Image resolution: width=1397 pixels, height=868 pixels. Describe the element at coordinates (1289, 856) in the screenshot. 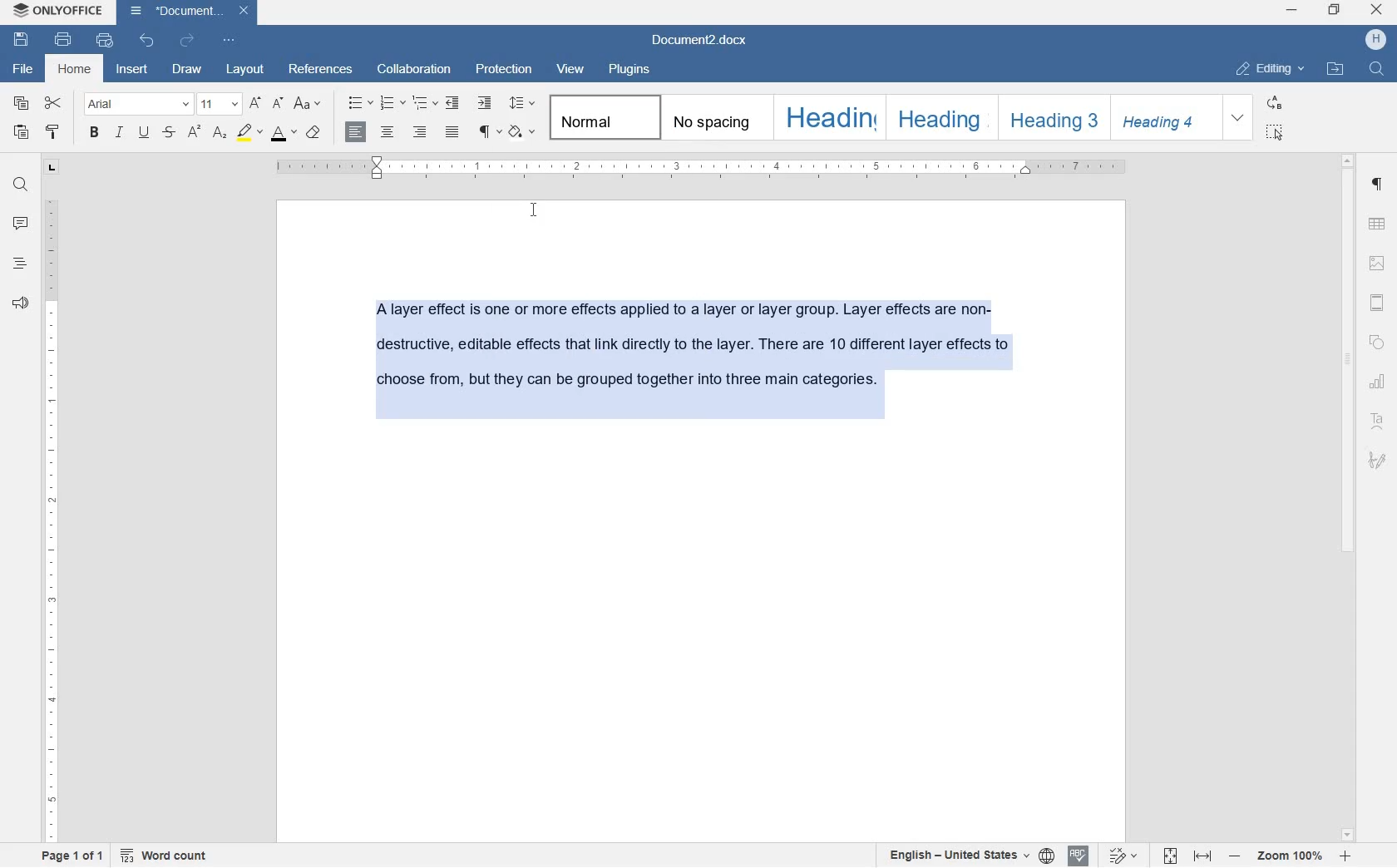

I see `zoom in or zoom out` at that location.